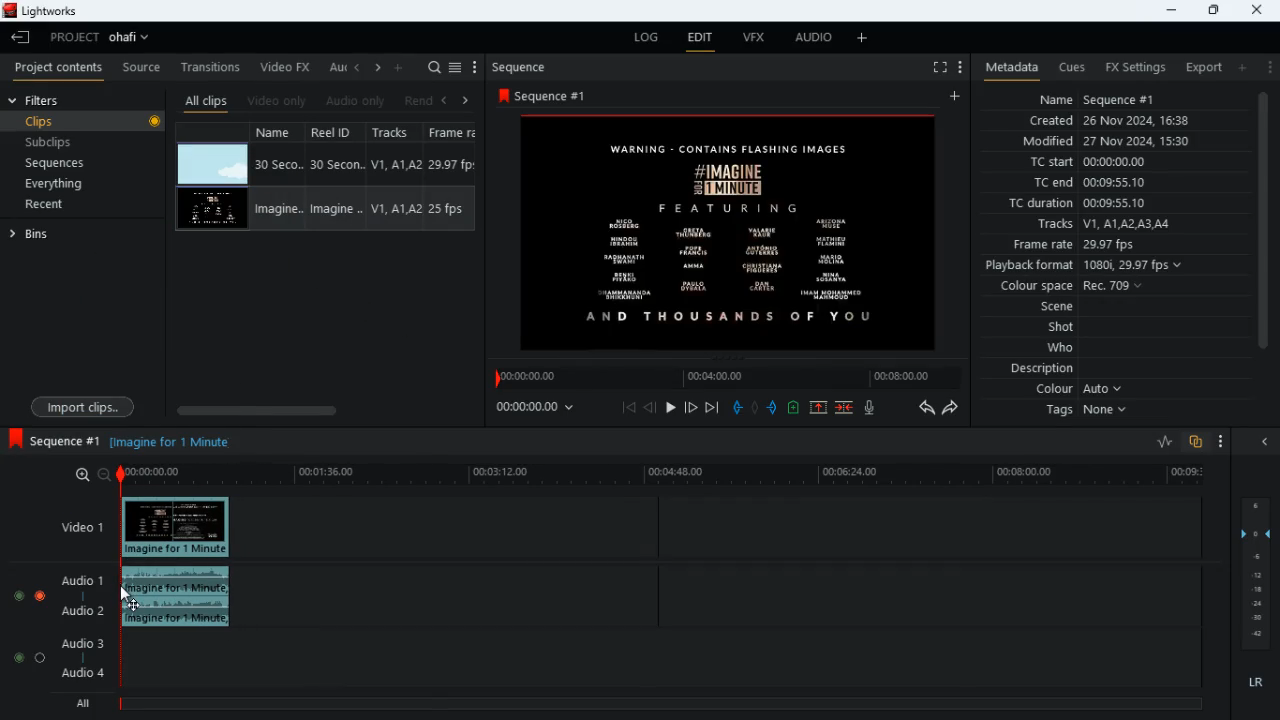 This screenshot has height=720, width=1280. Describe the element at coordinates (809, 39) in the screenshot. I see `audio` at that location.